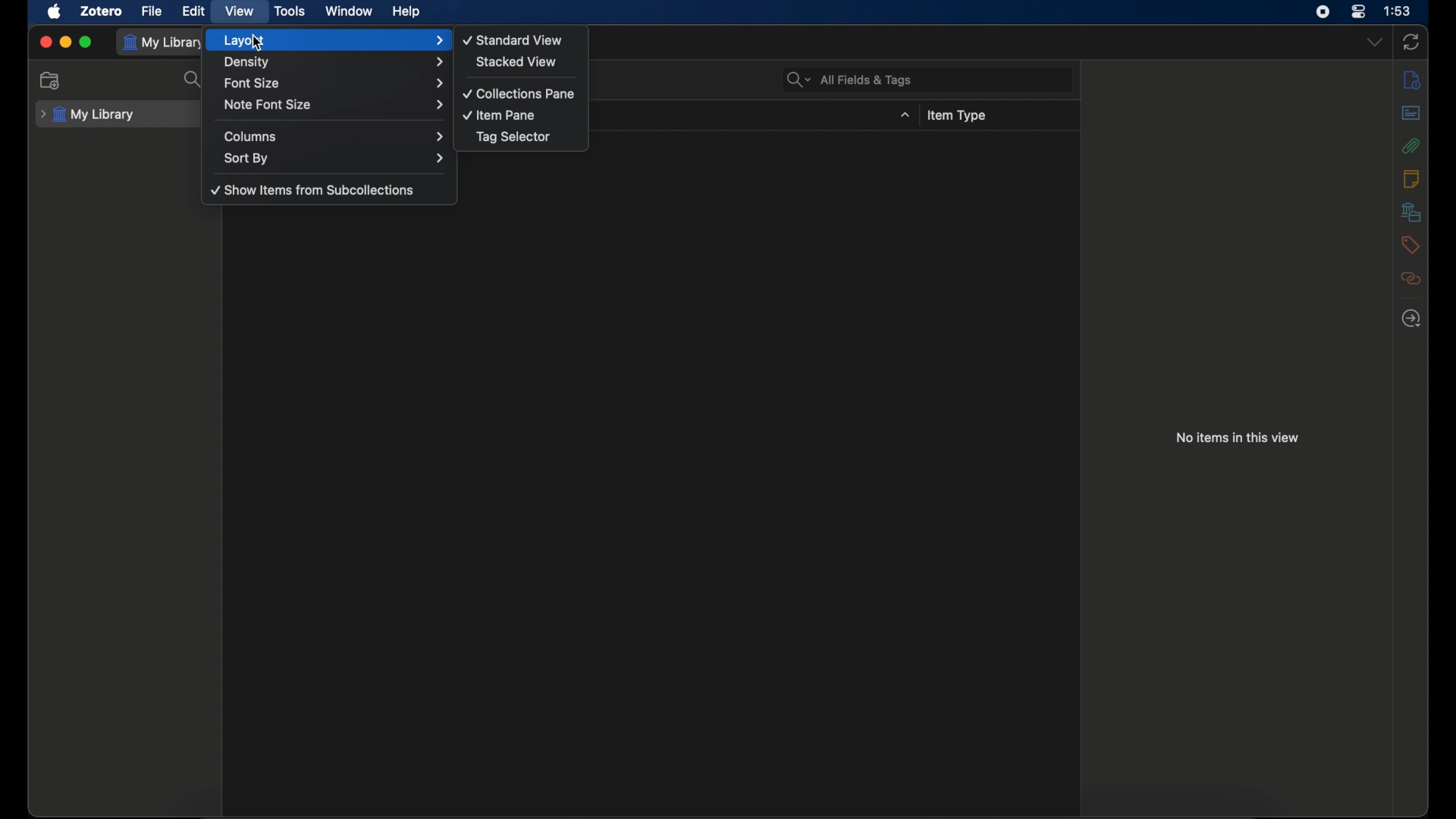 This screenshot has width=1456, height=819. I want to click on view, so click(238, 11).